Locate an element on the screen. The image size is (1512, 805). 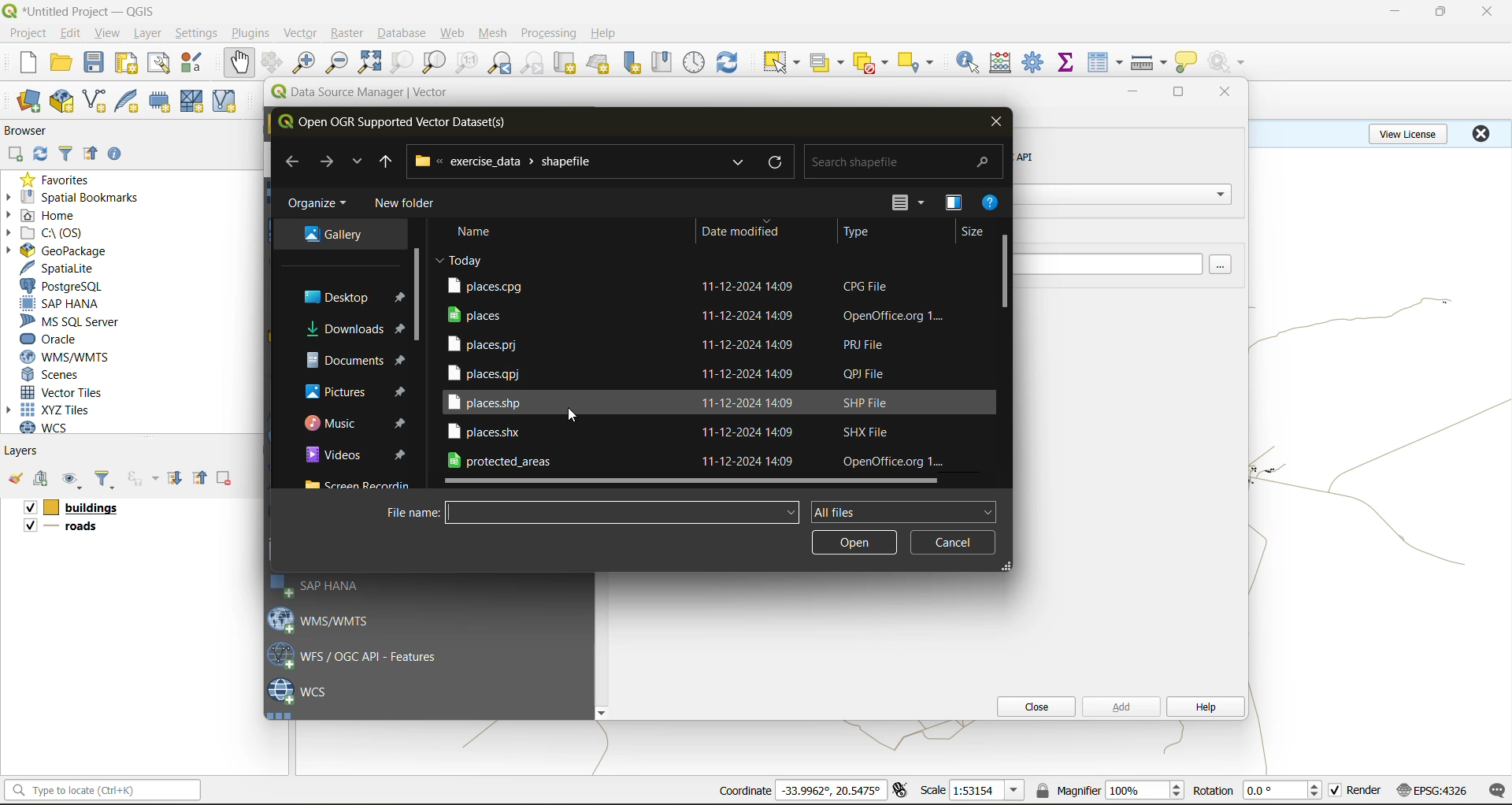
vector tiles is located at coordinates (65, 391).